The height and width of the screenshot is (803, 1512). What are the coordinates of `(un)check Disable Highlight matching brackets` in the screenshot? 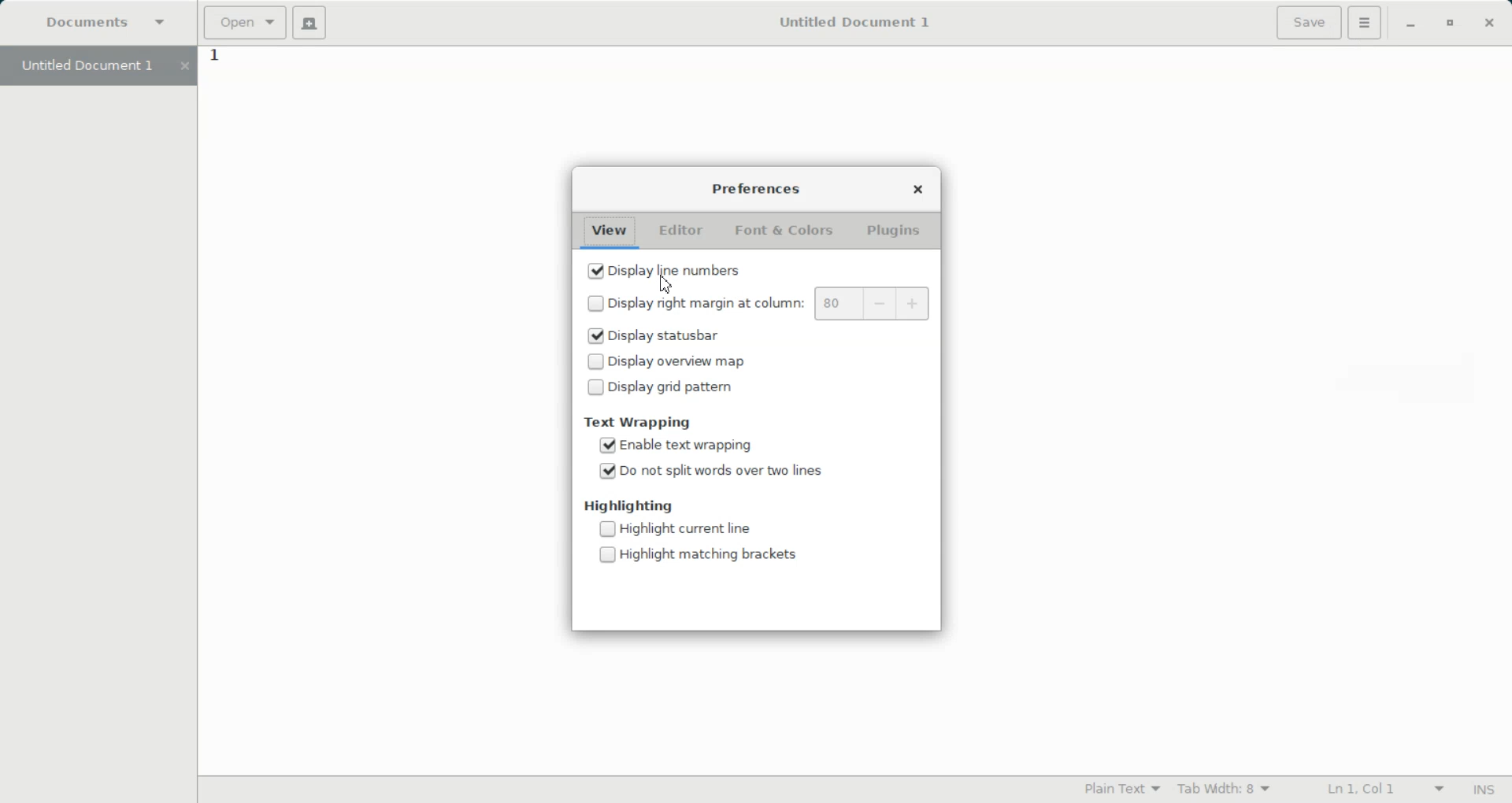 It's located at (701, 553).